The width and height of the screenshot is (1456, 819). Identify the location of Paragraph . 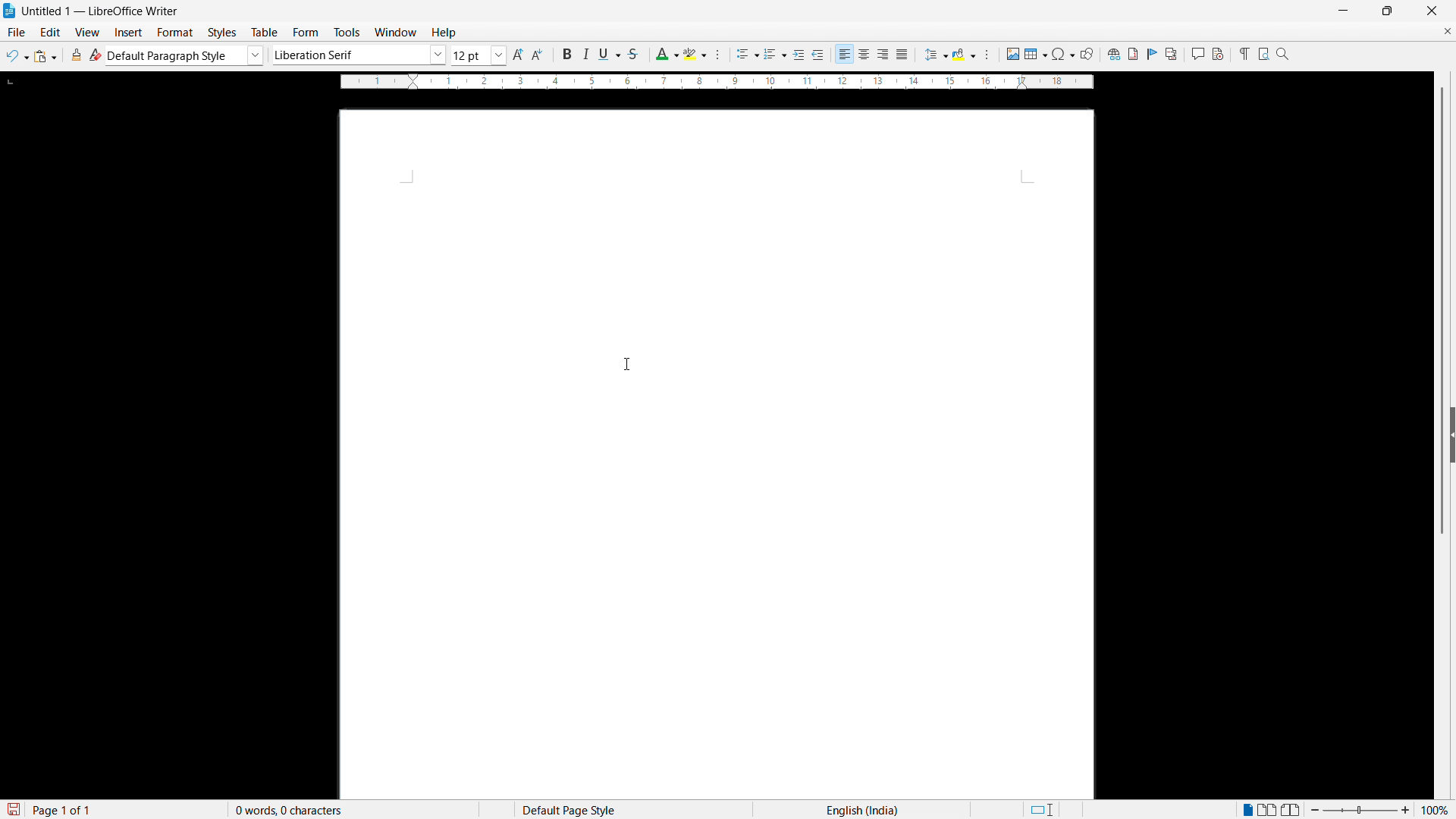
(986, 55).